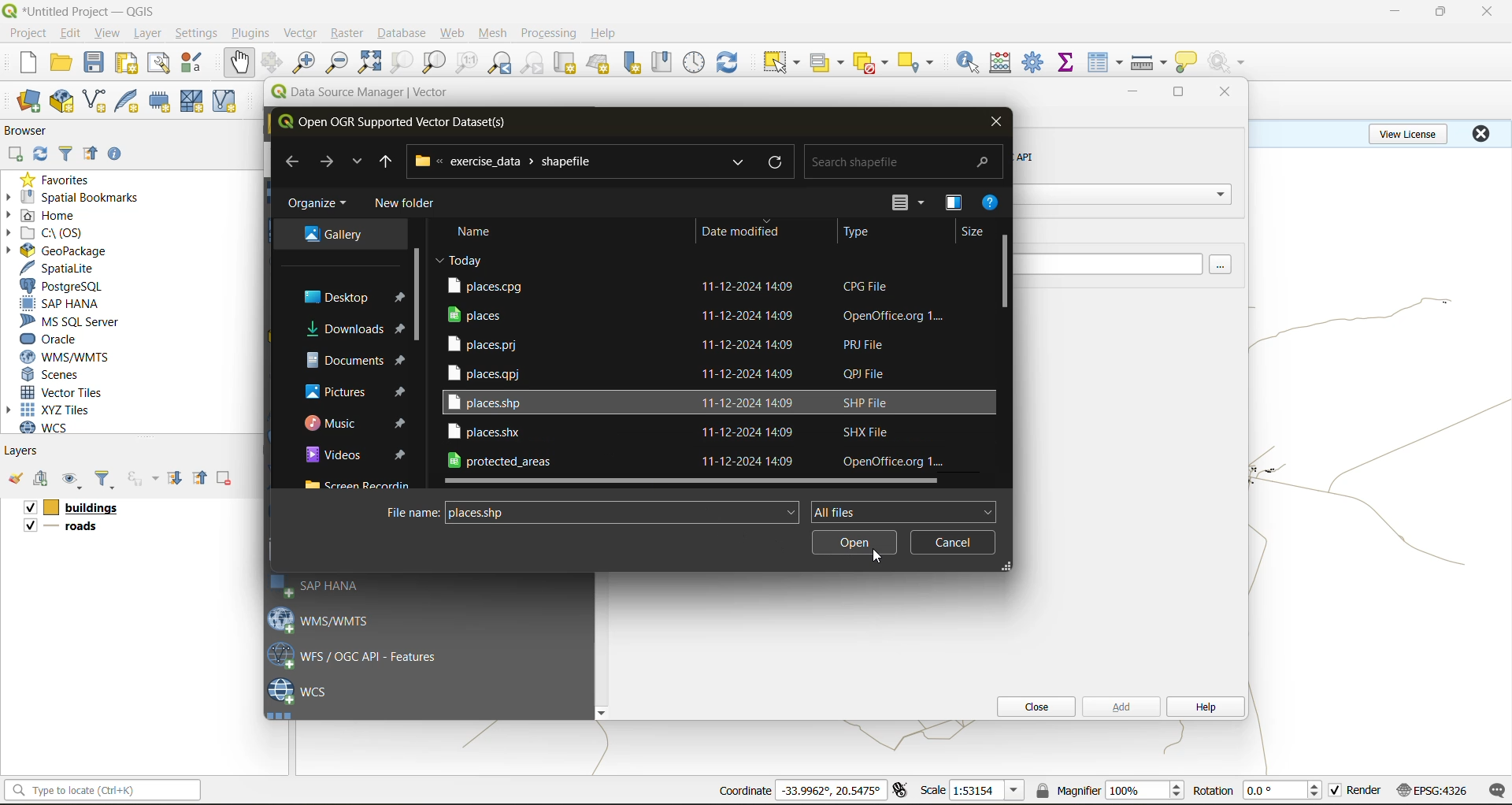 This screenshot has width=1512, height=805. What do you see at coordinates (14, 155) in the screenshot?
I see `add` at bounding box center [14, 155].